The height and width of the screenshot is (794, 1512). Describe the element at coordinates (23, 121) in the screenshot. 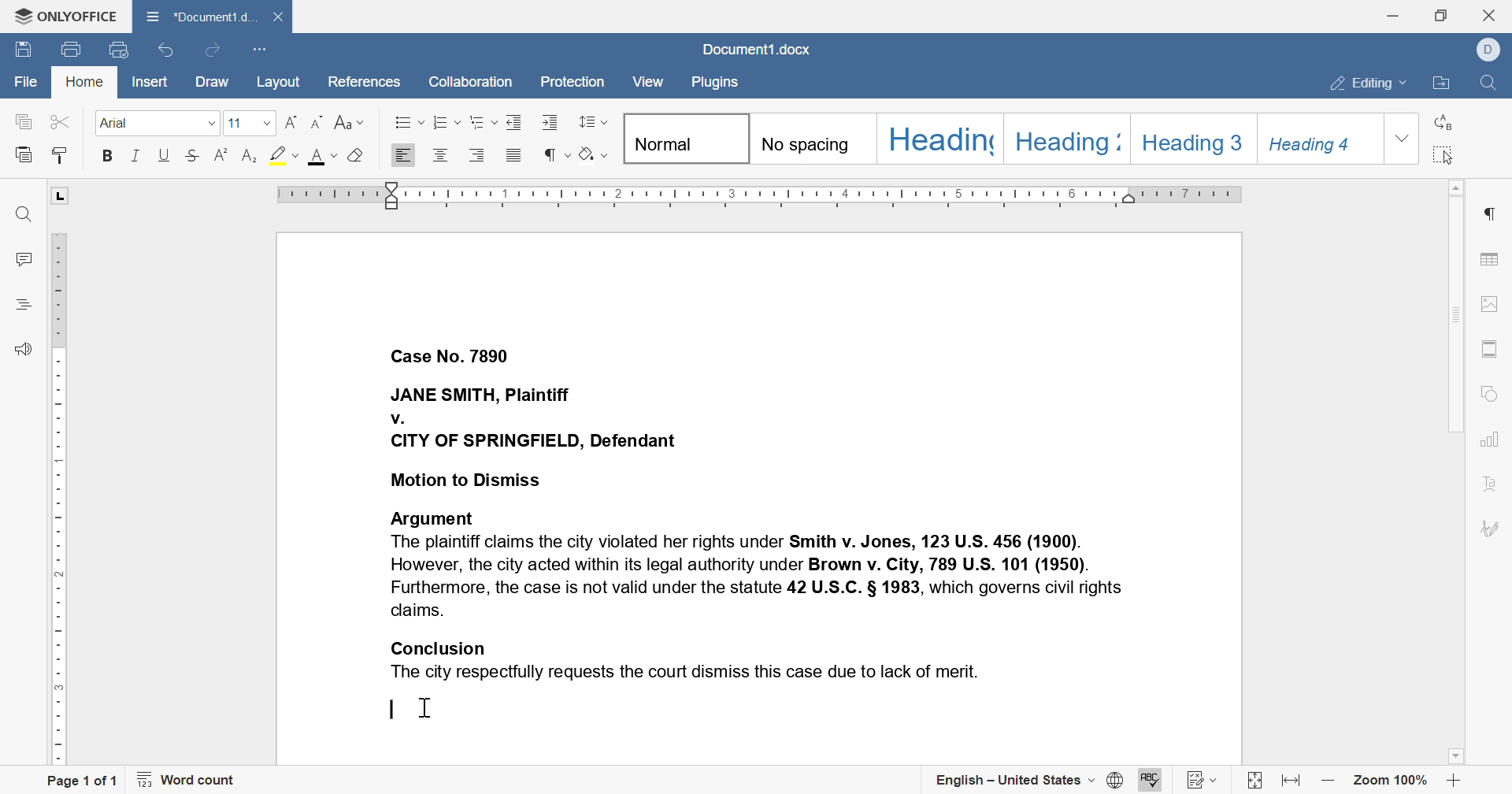

I see `copy` at that location.